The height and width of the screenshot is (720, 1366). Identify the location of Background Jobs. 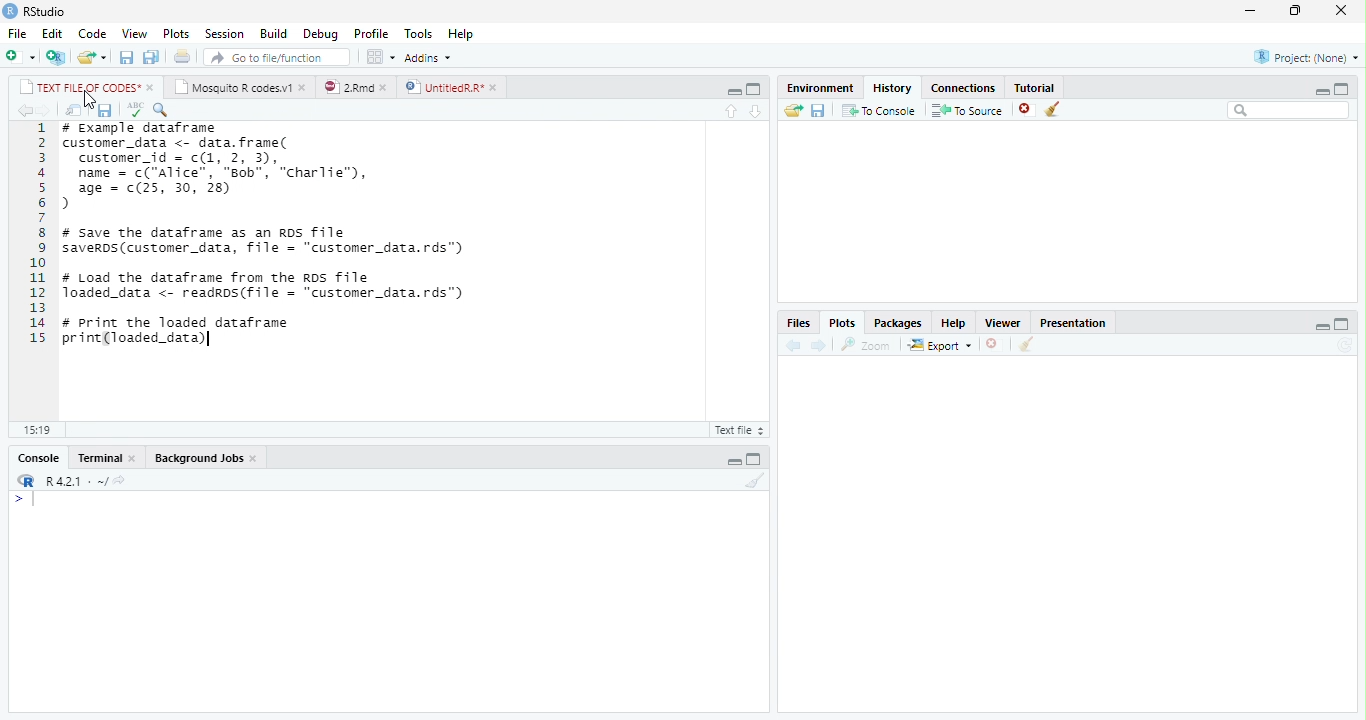
(198, 458).